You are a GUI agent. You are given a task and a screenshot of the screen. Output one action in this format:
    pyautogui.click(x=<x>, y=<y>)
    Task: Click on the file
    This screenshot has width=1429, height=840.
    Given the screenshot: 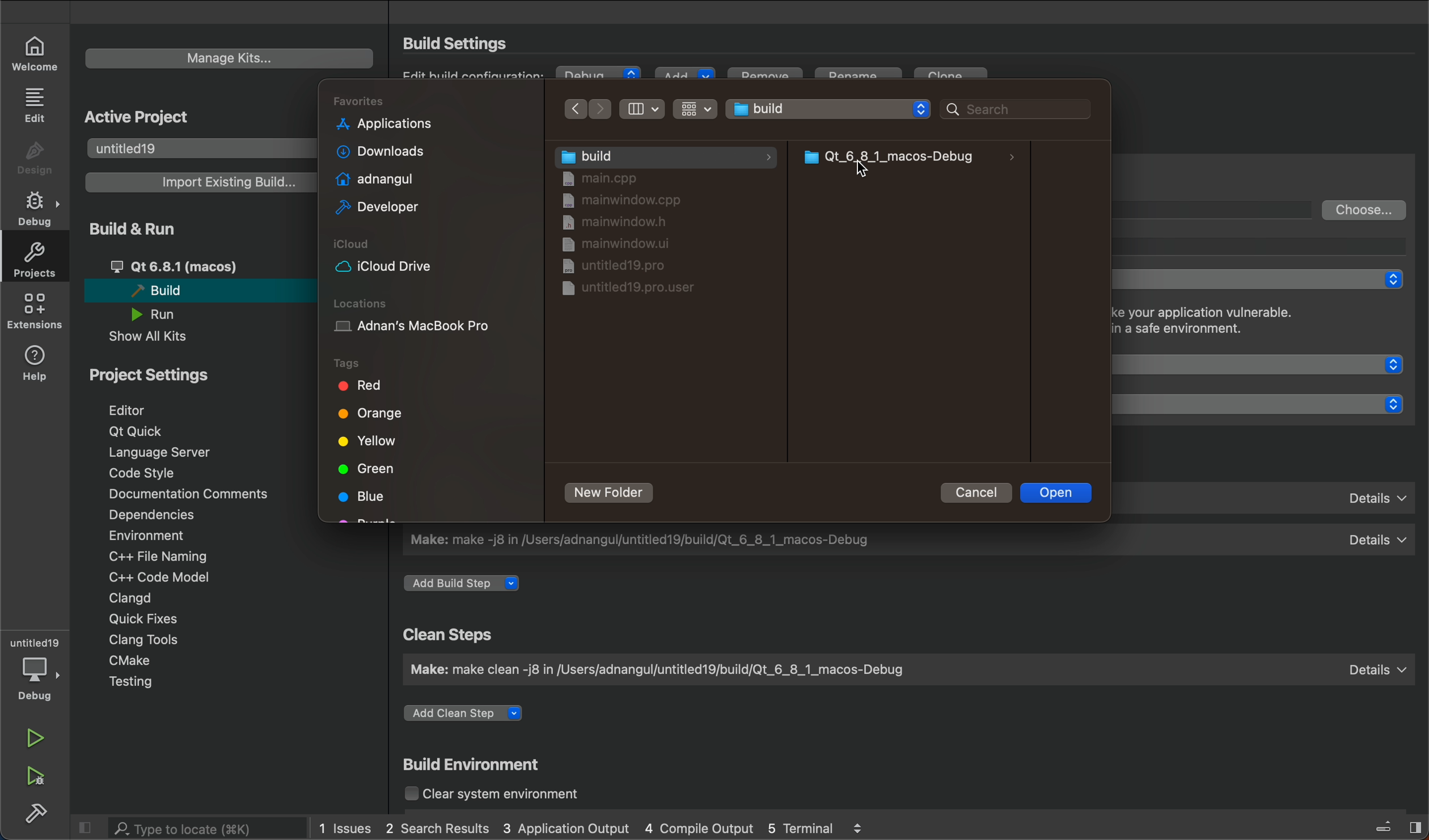 What is the action you would take?
    pyautogui.click(x=623, y=292)
    